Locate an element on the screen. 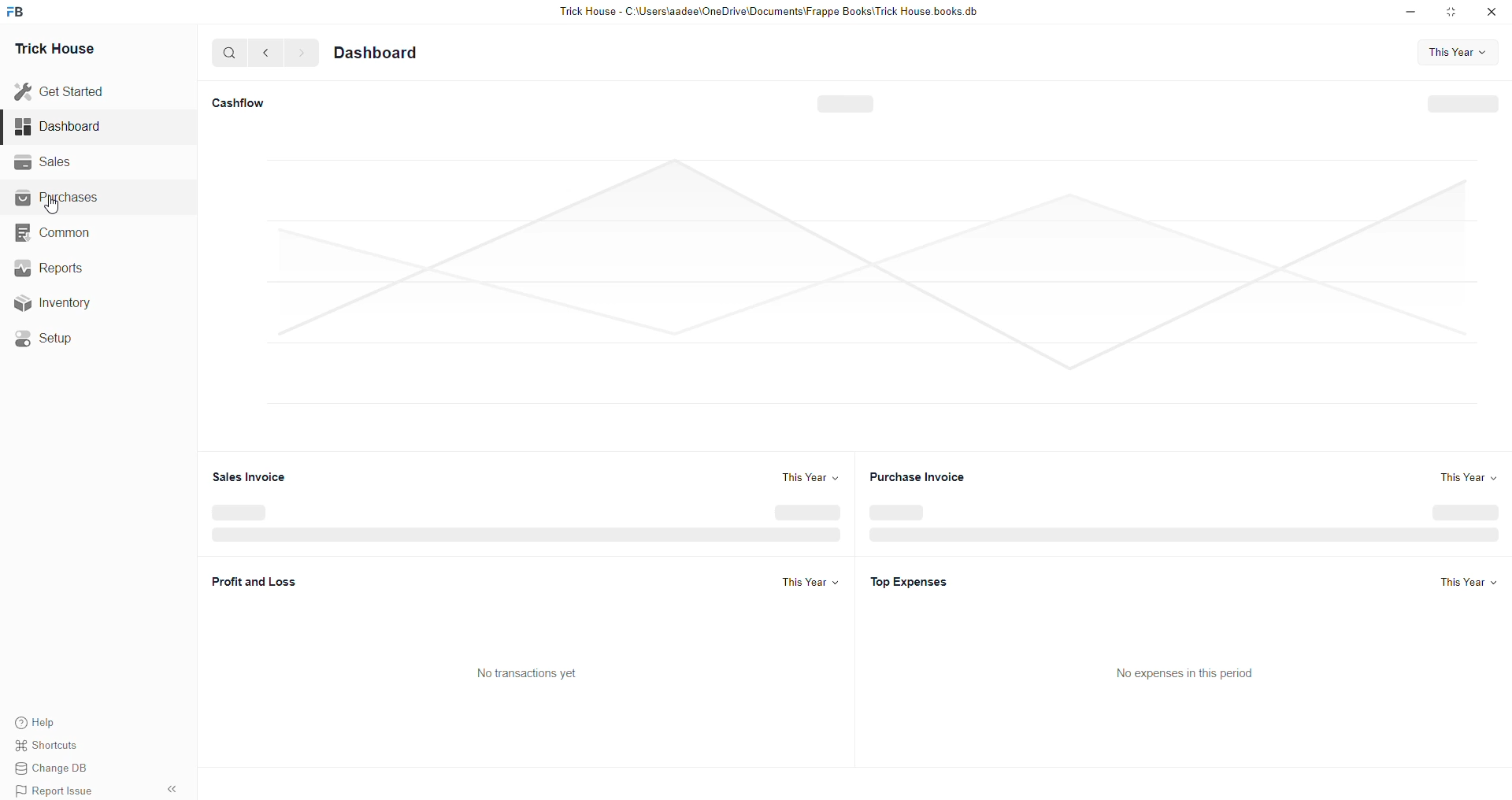  cursor is located at coordinates (56, 207).